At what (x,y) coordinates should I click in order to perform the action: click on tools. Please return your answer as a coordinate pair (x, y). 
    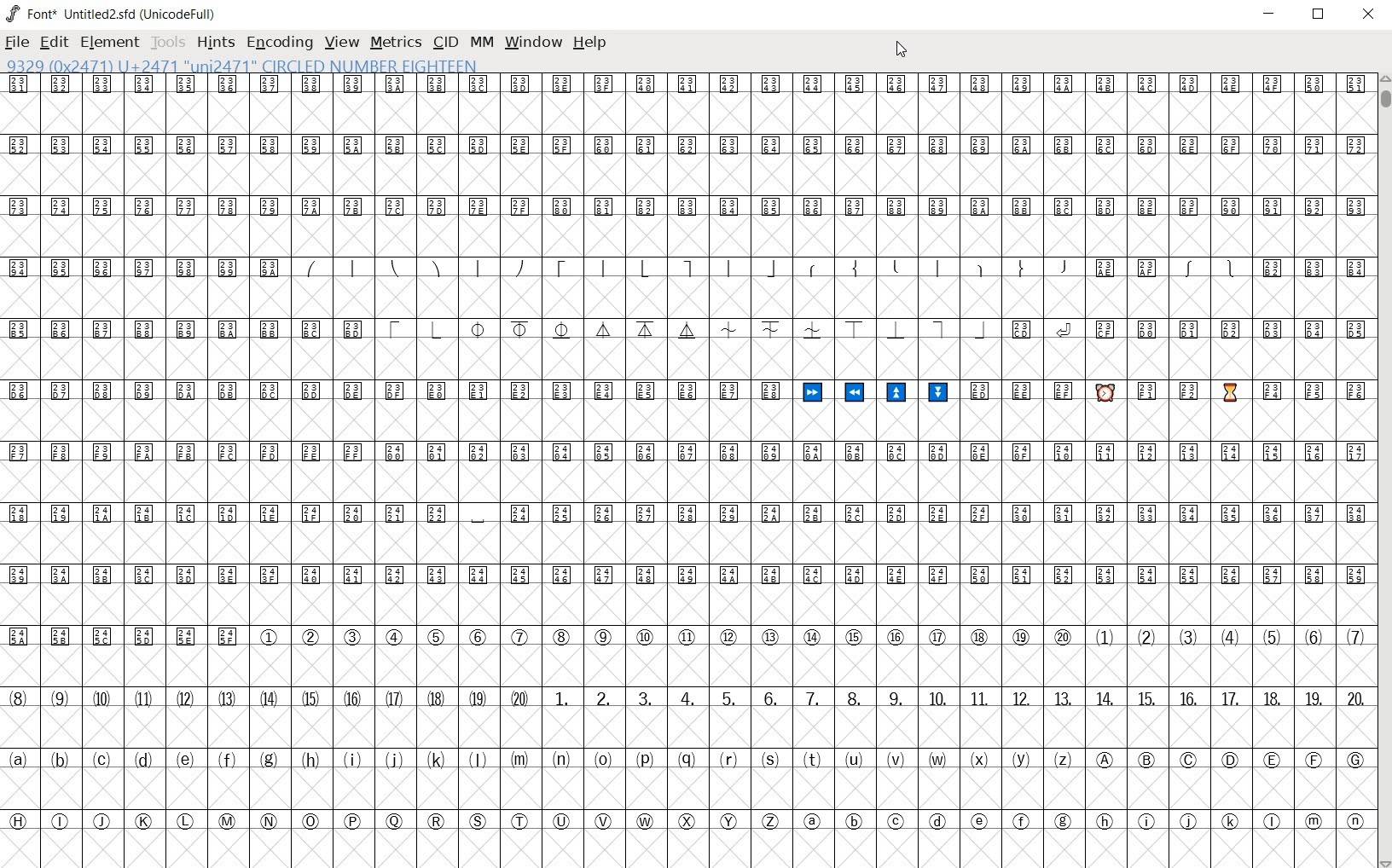
    Looking at the image, I should click on (169, 42).